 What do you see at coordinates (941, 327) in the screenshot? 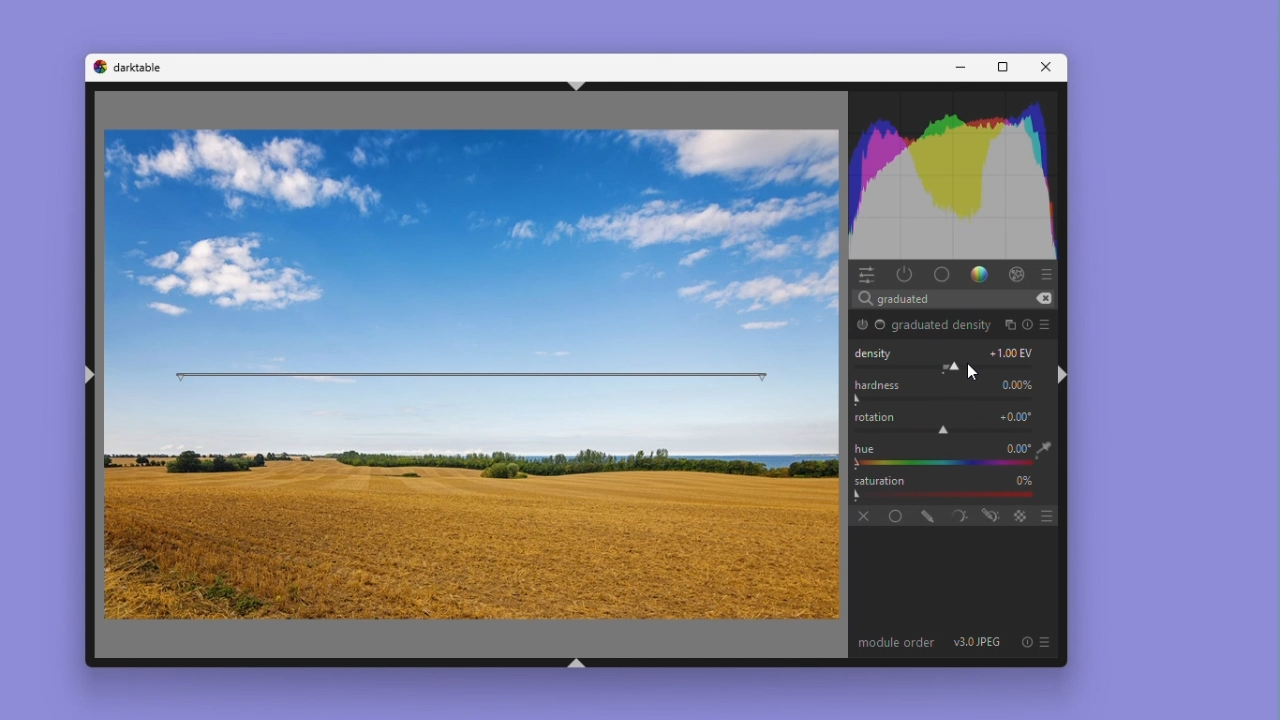
I see `graduated density` at bounding box center [941, 327].